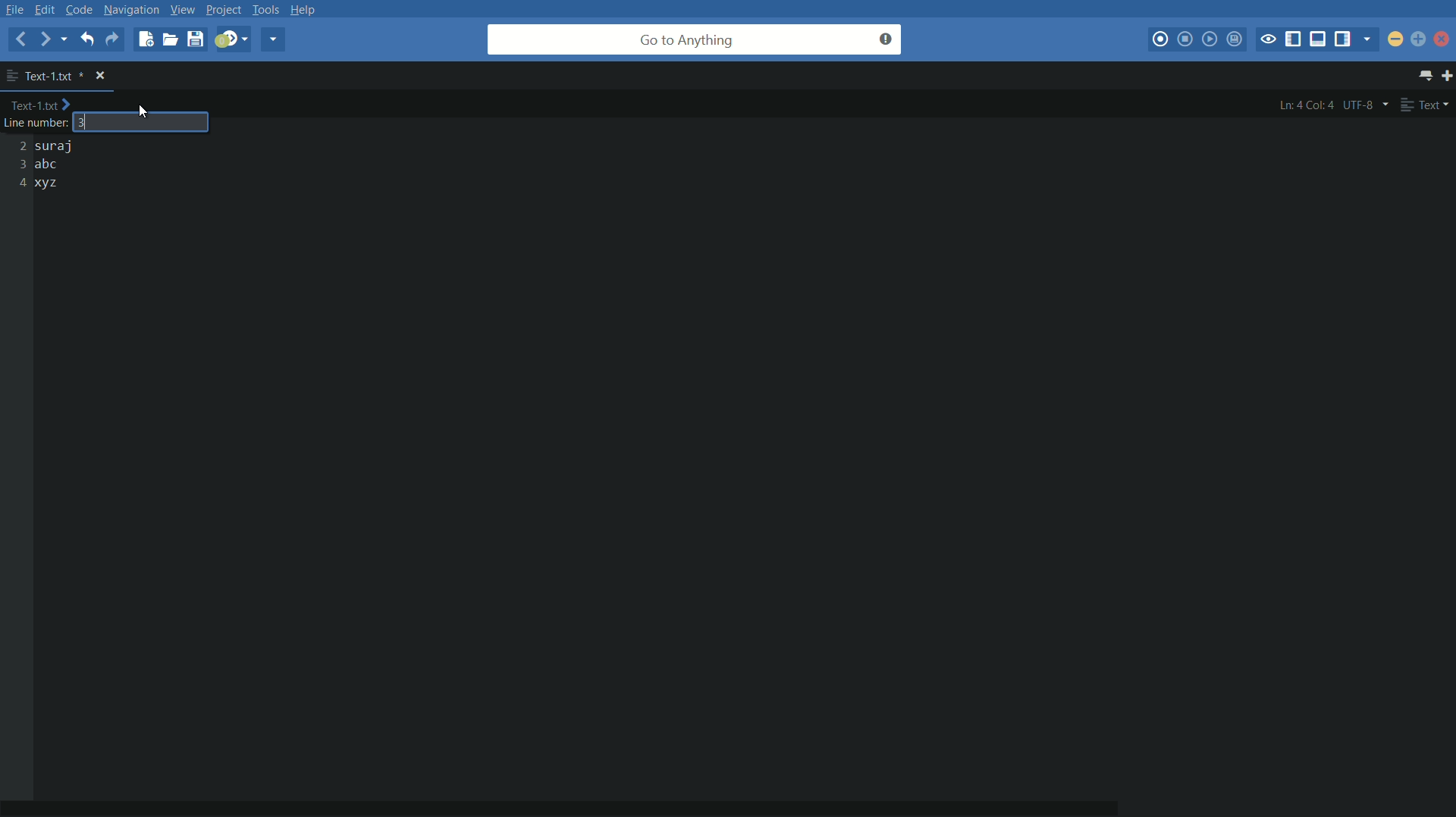 The width and height of the screenshot is (1456, 817). Describe the element at coordinates (1427, 77) in the screenshot. I see `show all tabs` at that location.